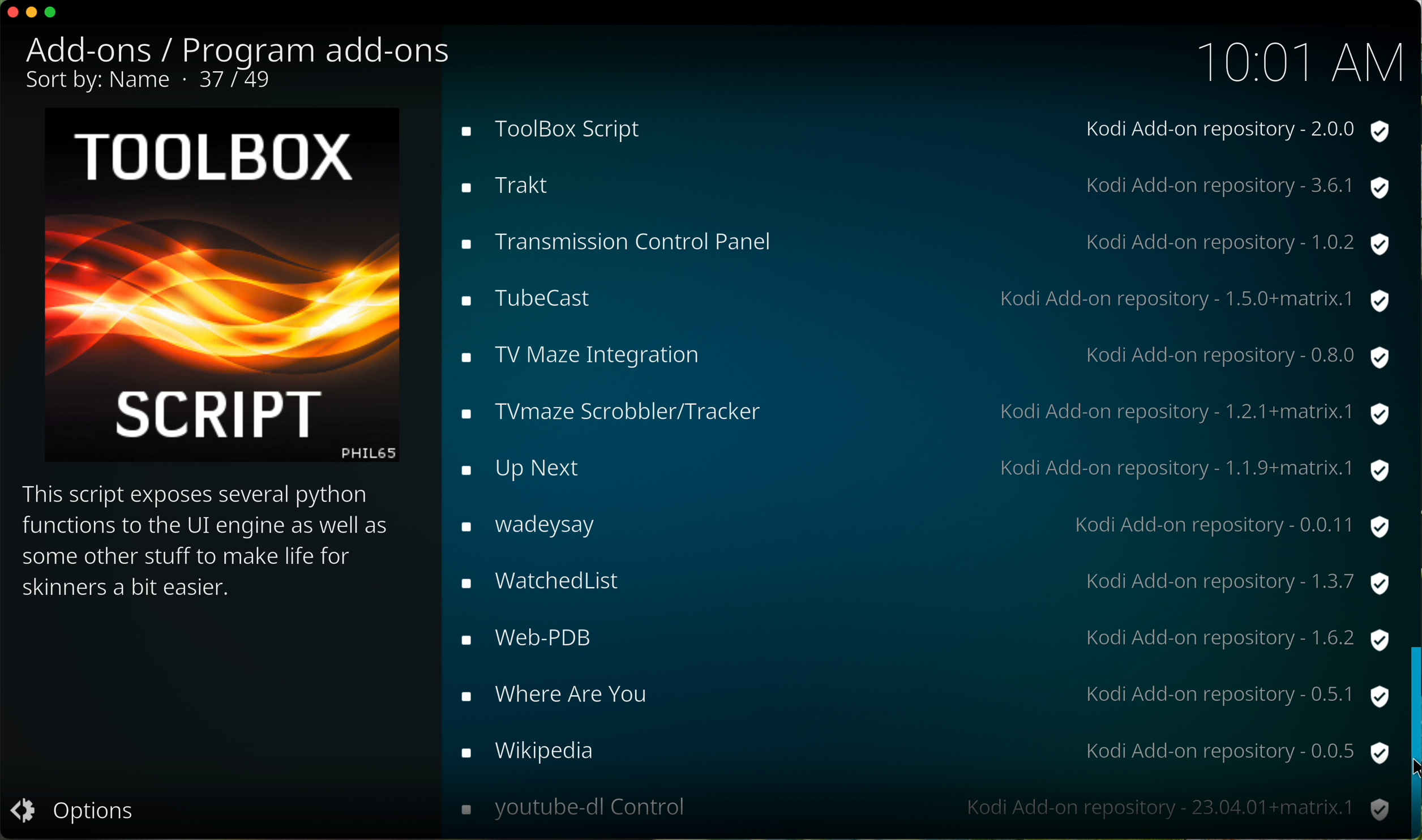 This screenshot has height=840, width=1422. Describe the element at coordinates (918, 410) in the screenshot. I see `tvmaze scrobbler/tracker` at that location.